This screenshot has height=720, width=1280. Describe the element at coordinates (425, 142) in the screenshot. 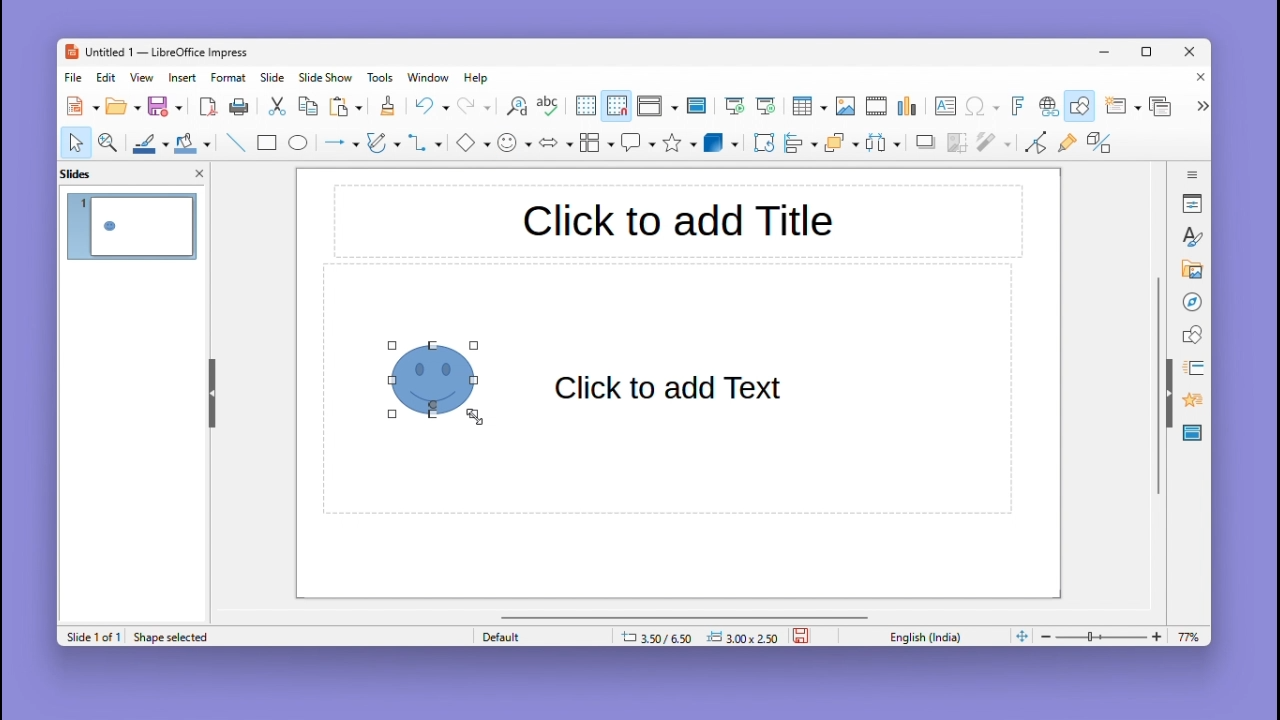

I see `Connectors` at that location.